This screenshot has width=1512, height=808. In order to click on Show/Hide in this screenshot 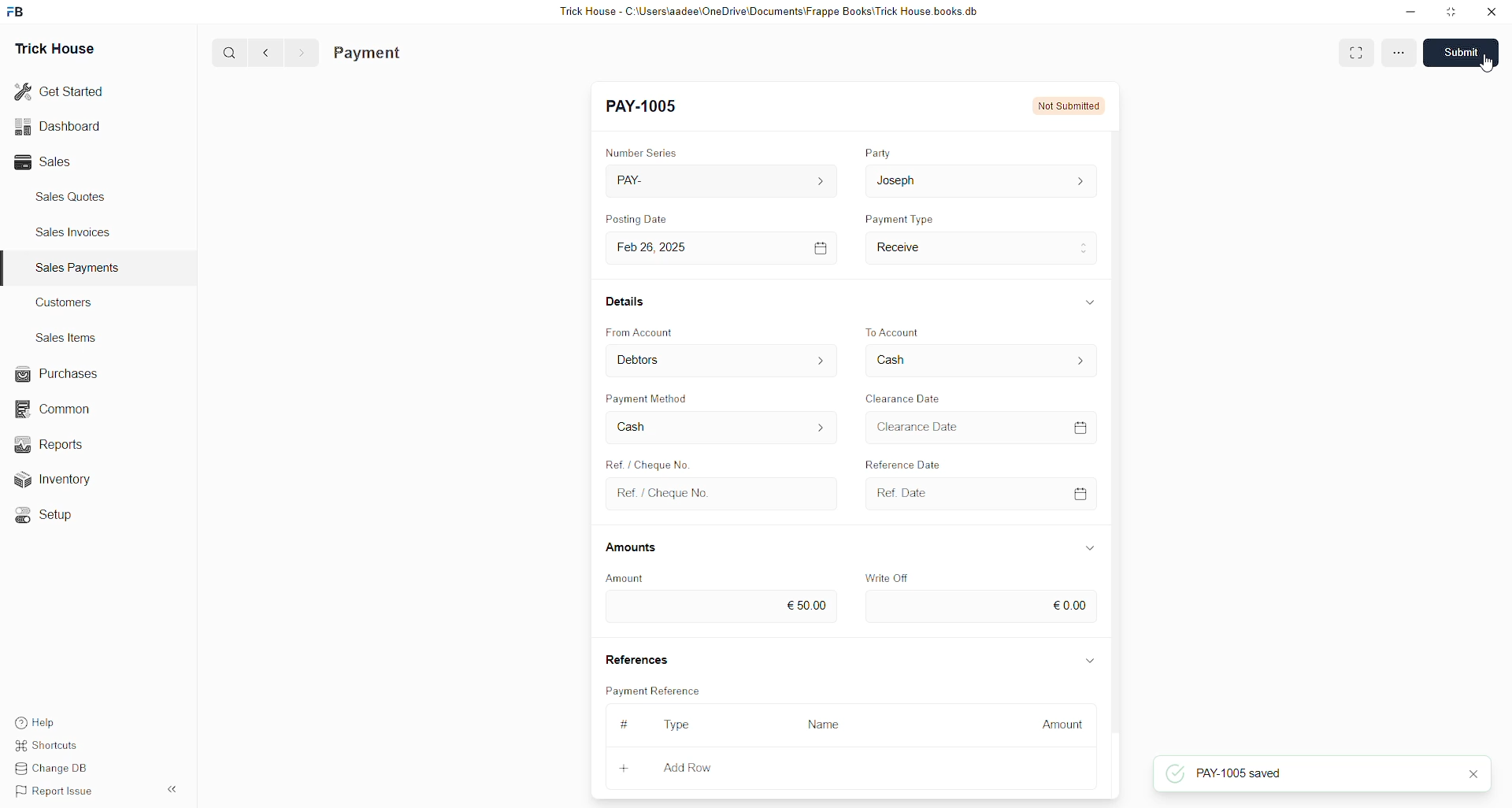, I will do `click(1089, 548)`.